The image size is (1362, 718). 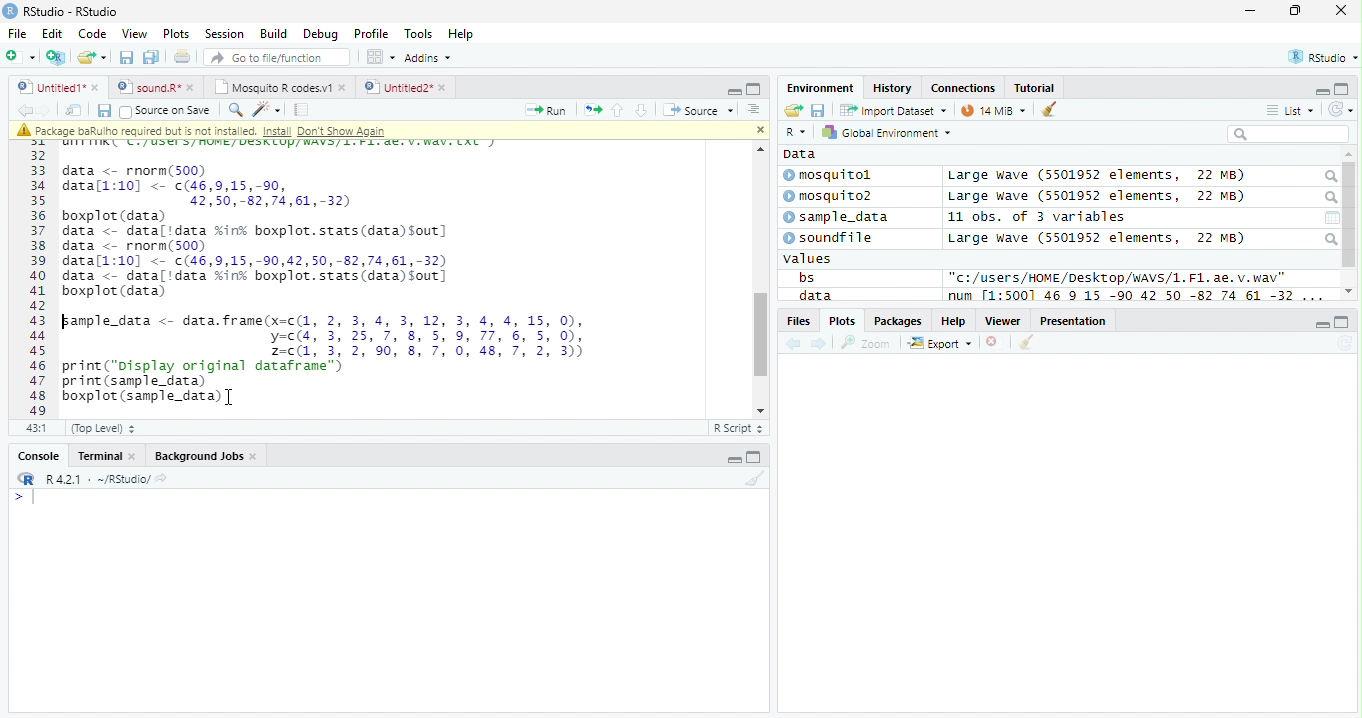 I want to click on A Package baRulho required but is not installed. Install Don't Show Again, so click(x=242, y=130).